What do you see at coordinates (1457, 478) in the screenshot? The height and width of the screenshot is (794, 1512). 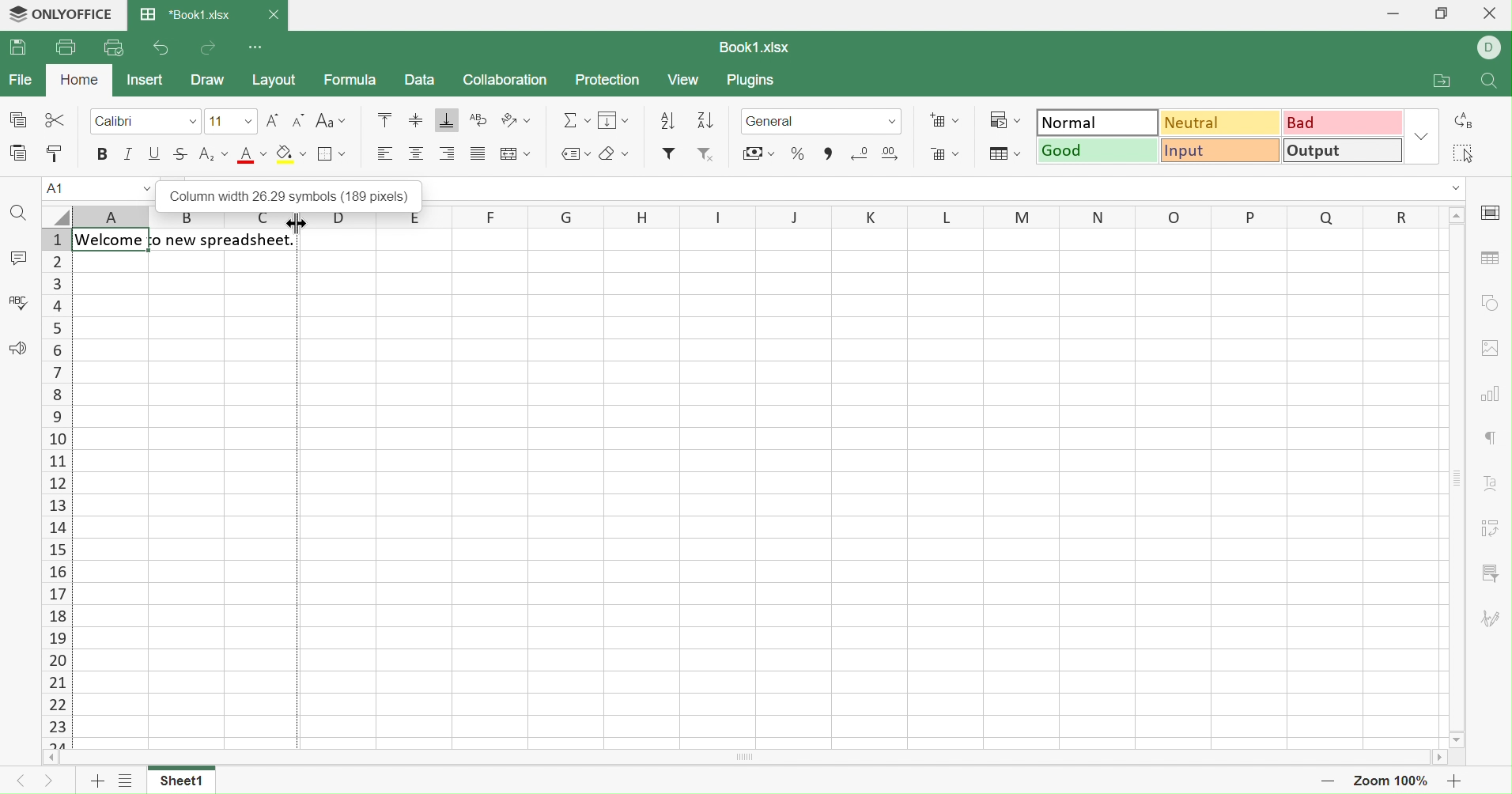 I see `Scroll Bar` at bounding box center [1457, 478].